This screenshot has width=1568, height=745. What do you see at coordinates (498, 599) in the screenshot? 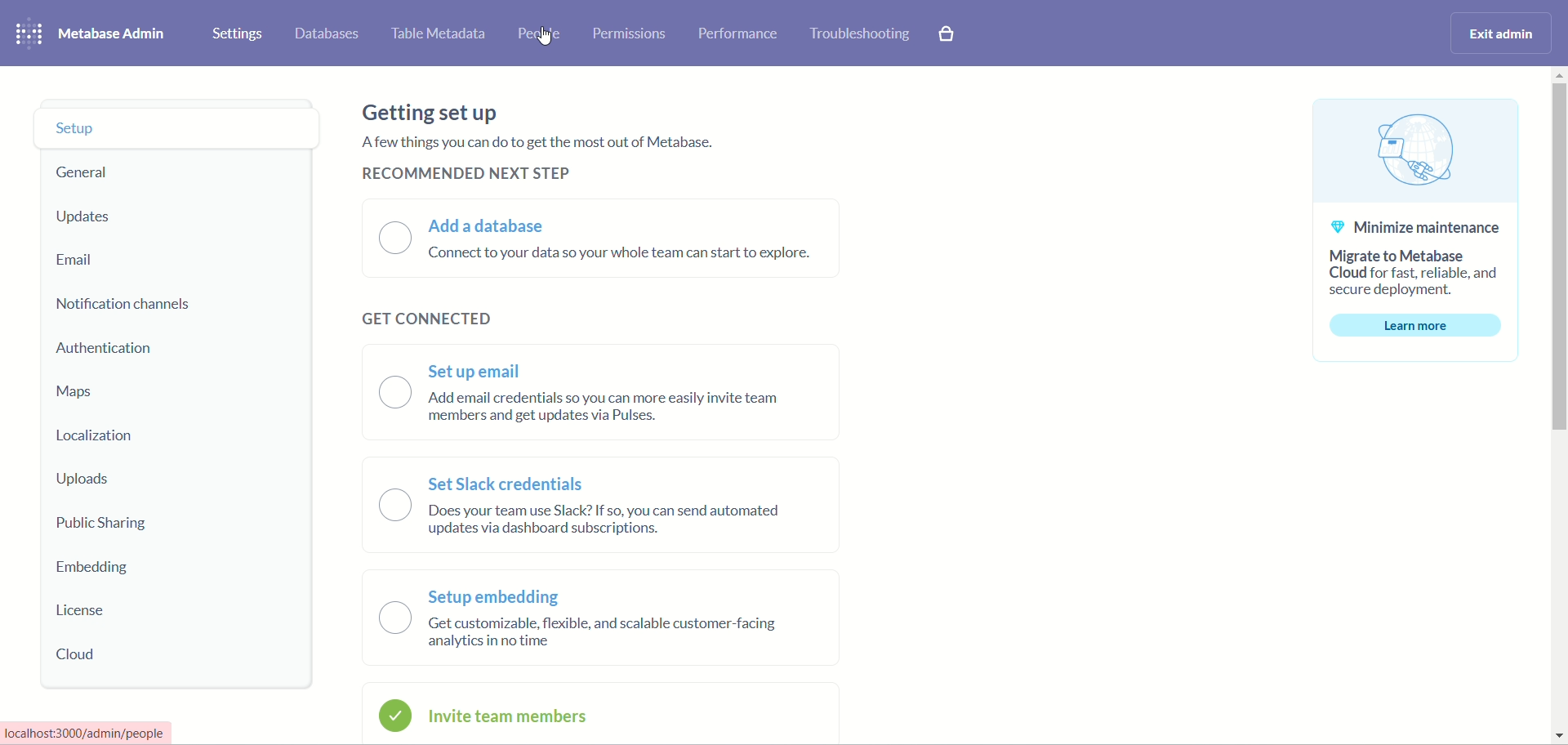
I see `setup embedding` at bounding box center [498, 599].